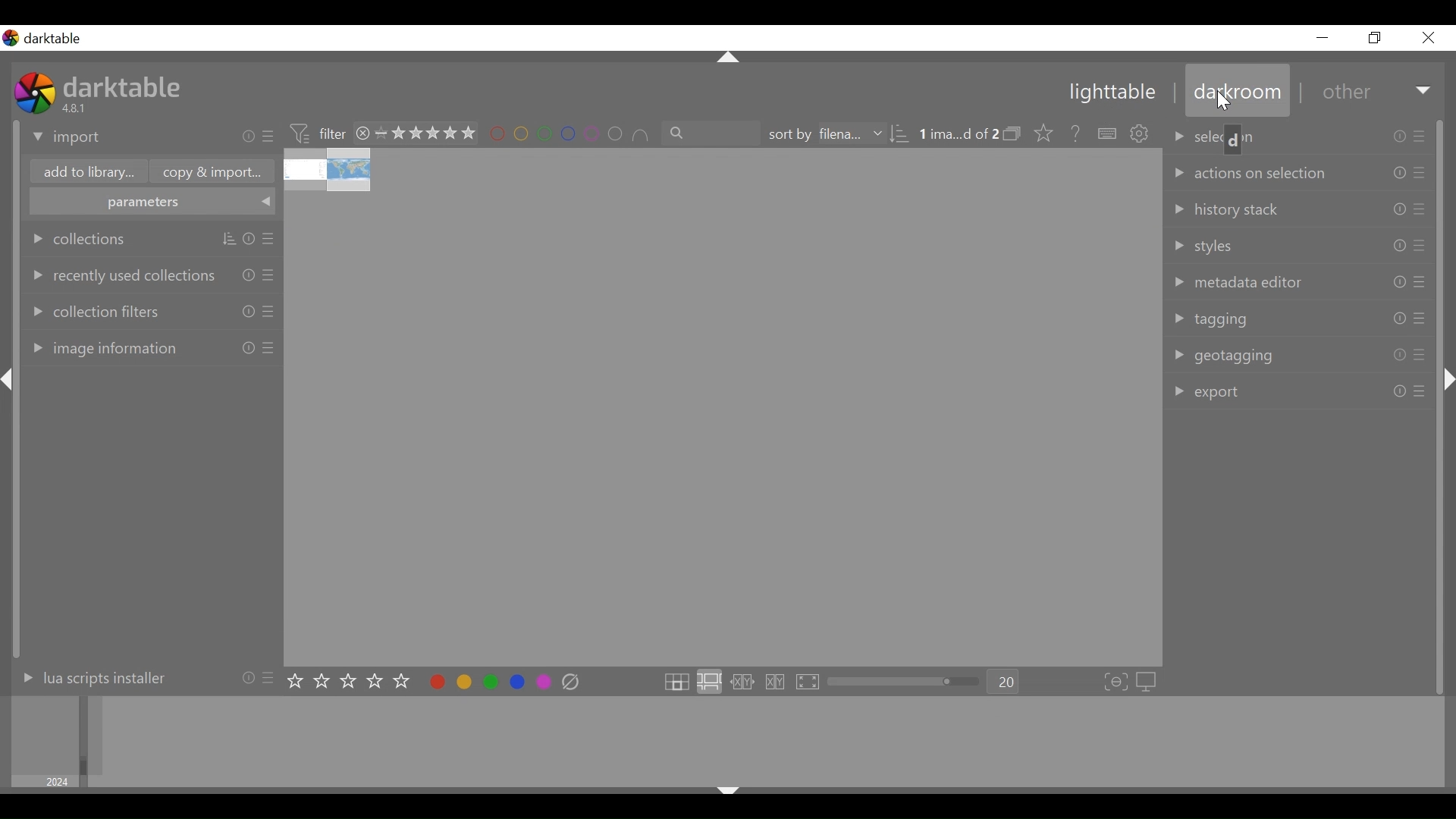 This screenshot has height=819, width=1456. I want to click on Zoom factor, so click(1006, 682).